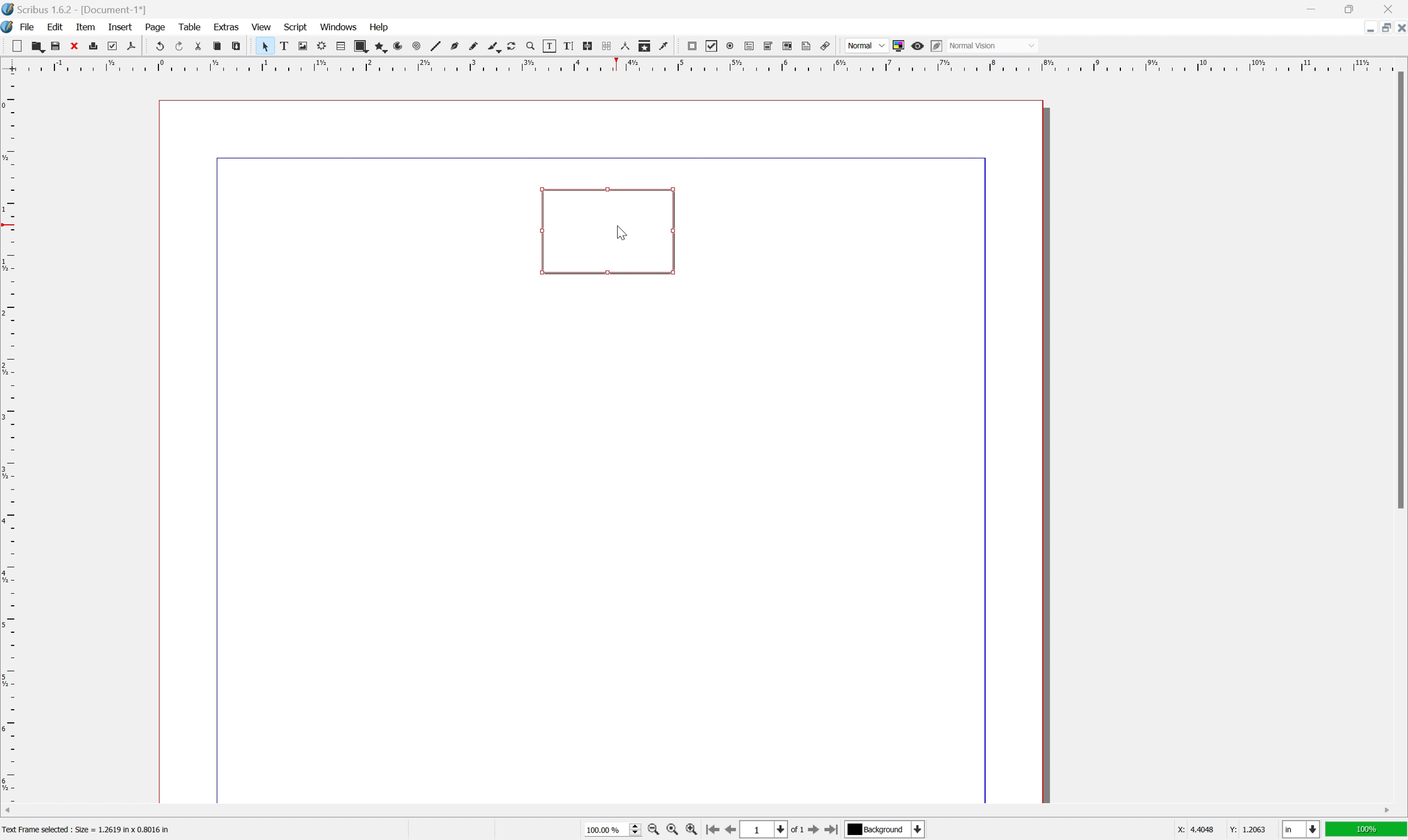  I want to click on text frame, so click(284, 47).